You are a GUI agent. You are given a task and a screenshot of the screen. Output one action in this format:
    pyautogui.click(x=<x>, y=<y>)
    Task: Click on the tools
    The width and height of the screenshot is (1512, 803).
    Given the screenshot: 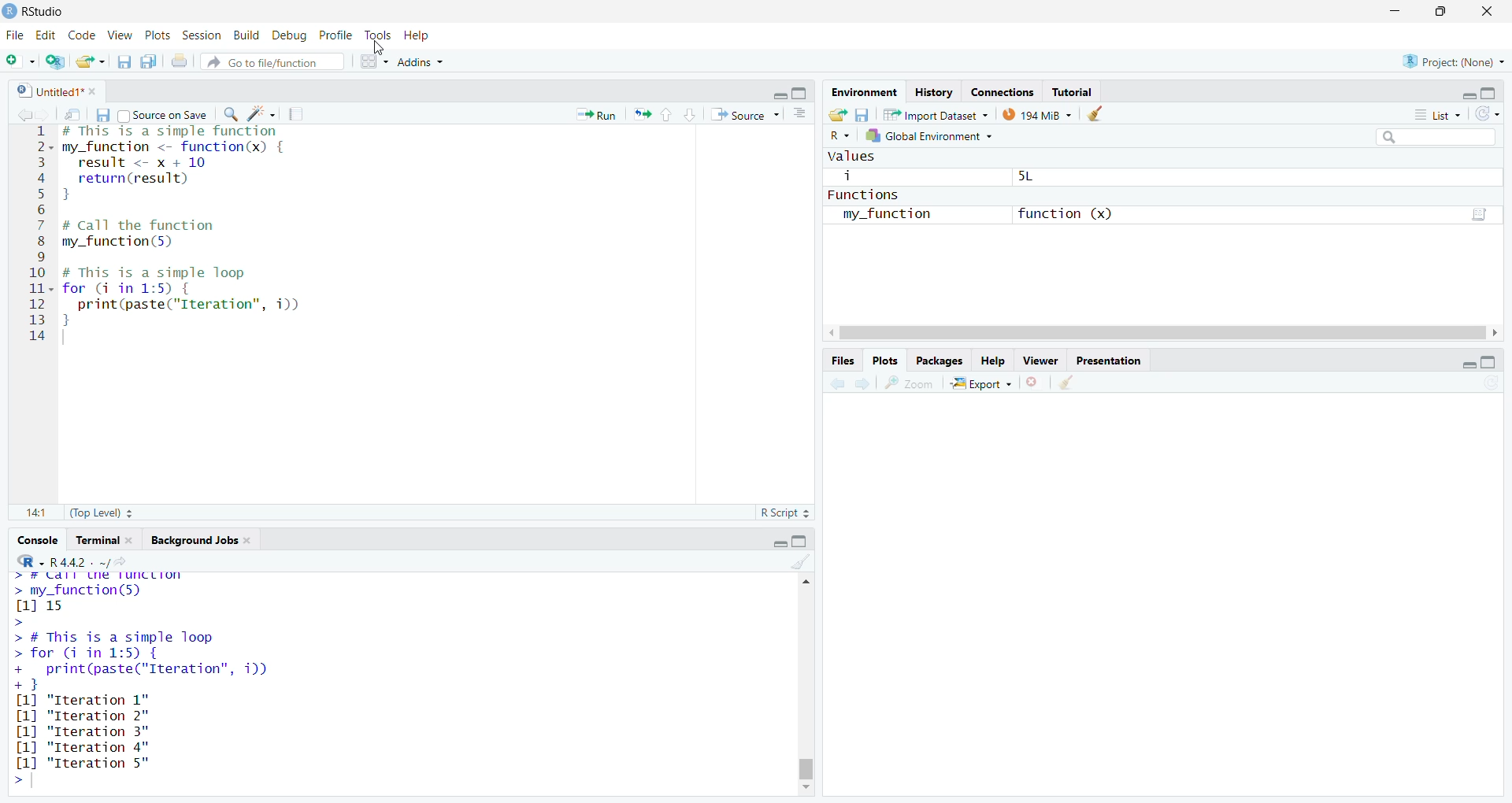 What is the action you would take?
    pyautogui.click(x=380, y=35)
    